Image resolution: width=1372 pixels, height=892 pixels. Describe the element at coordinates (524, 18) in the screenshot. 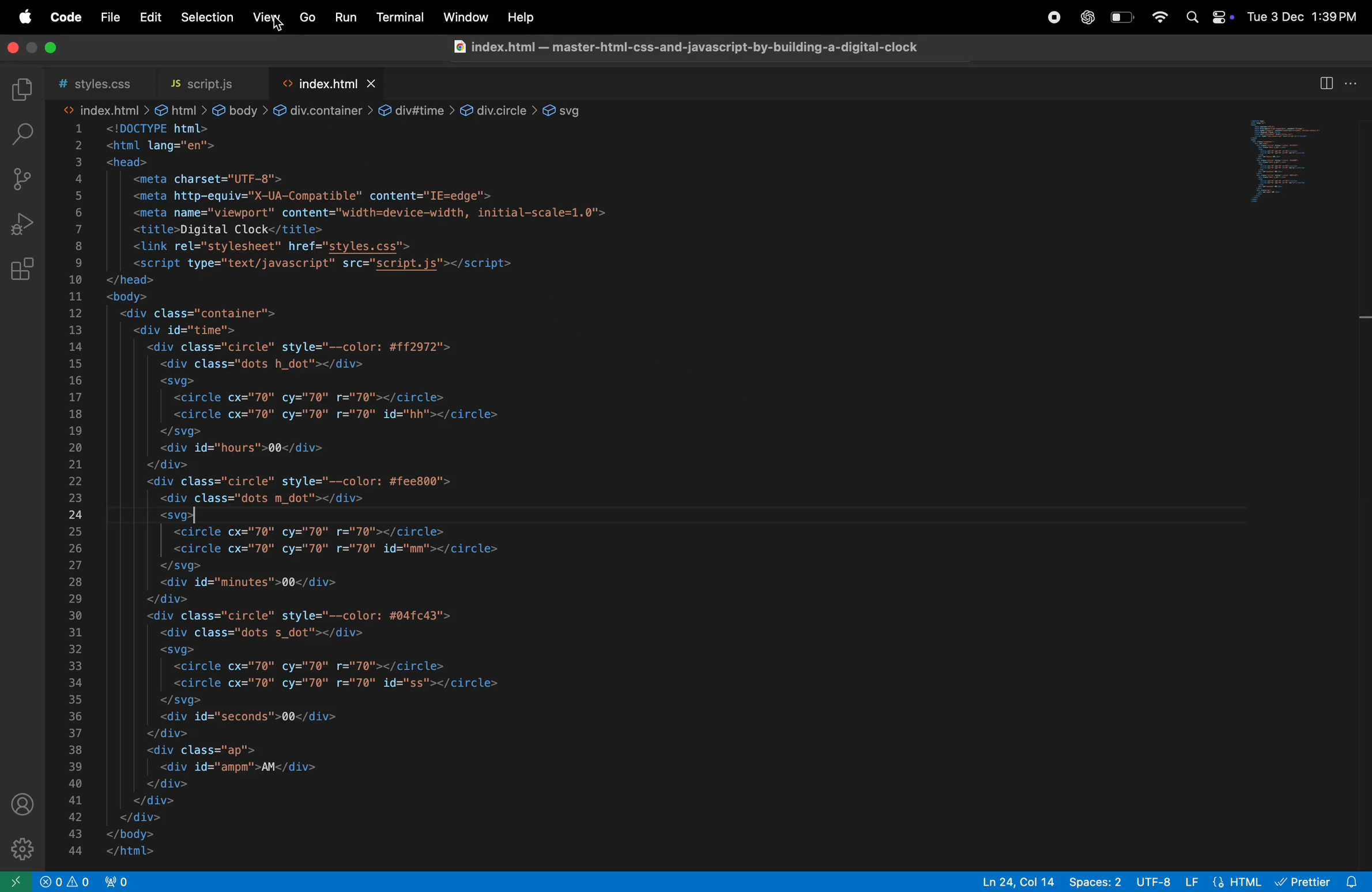

I see `help` at that location.